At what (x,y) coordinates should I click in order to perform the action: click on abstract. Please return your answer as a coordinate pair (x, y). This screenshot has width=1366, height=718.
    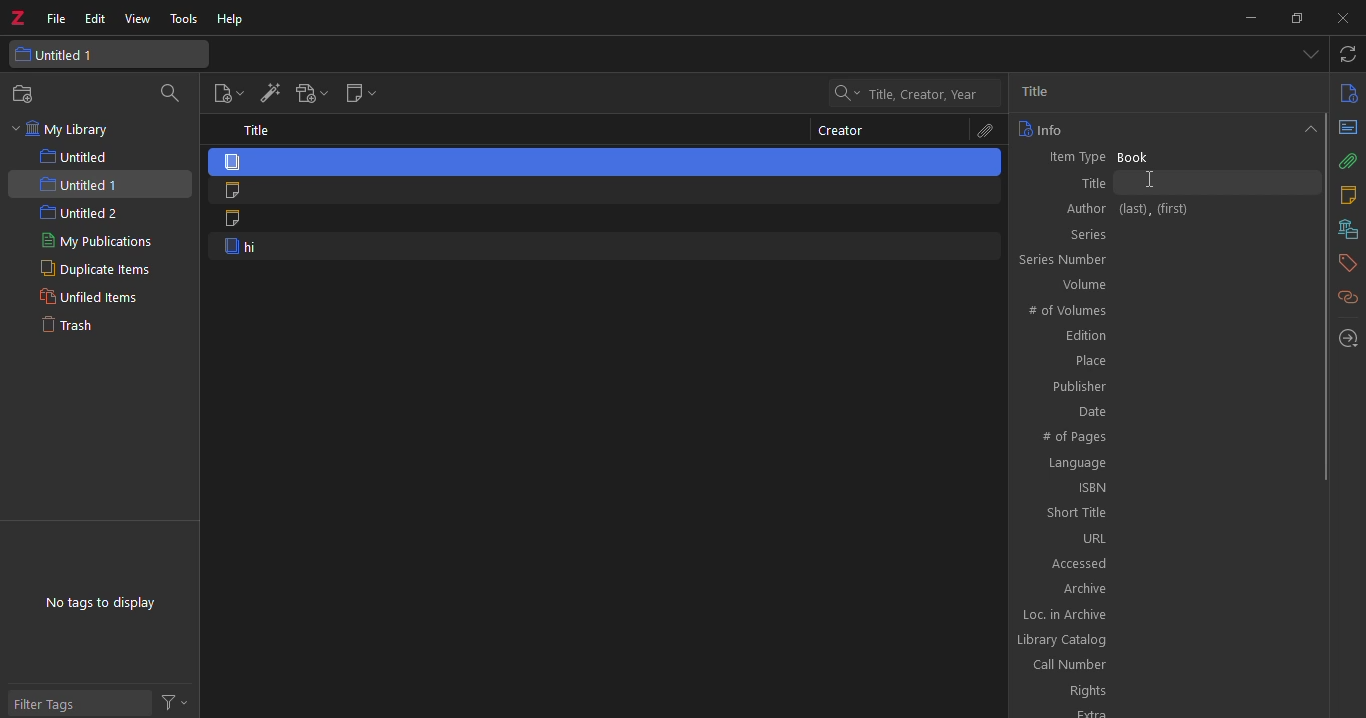
    Looking at the image, I should click on (1348, 127).